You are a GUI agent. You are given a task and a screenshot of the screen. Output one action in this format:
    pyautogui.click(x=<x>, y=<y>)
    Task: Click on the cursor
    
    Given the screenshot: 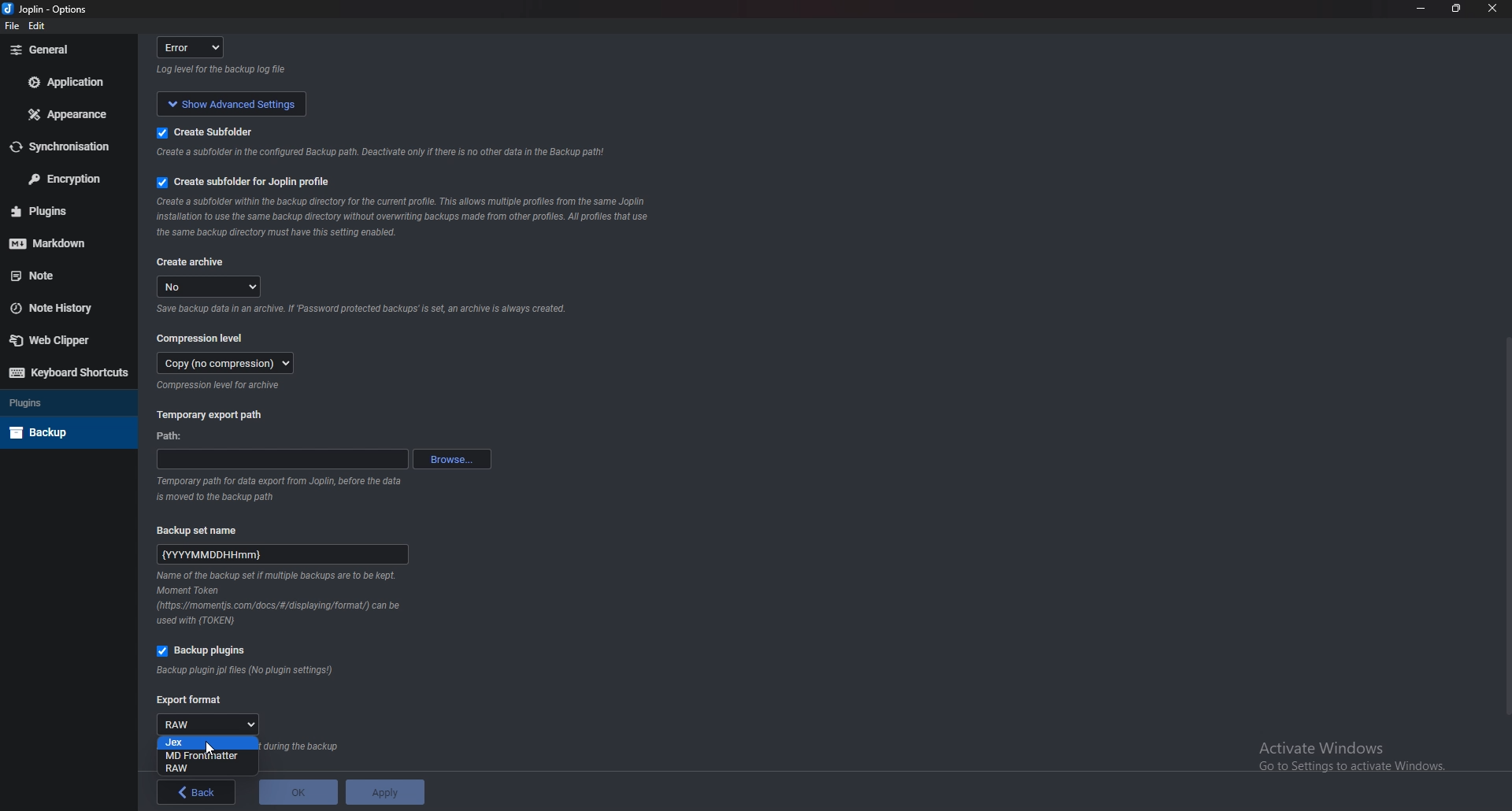 What is the action you would take?
    pyautogui.click(x=207, y=749)
    